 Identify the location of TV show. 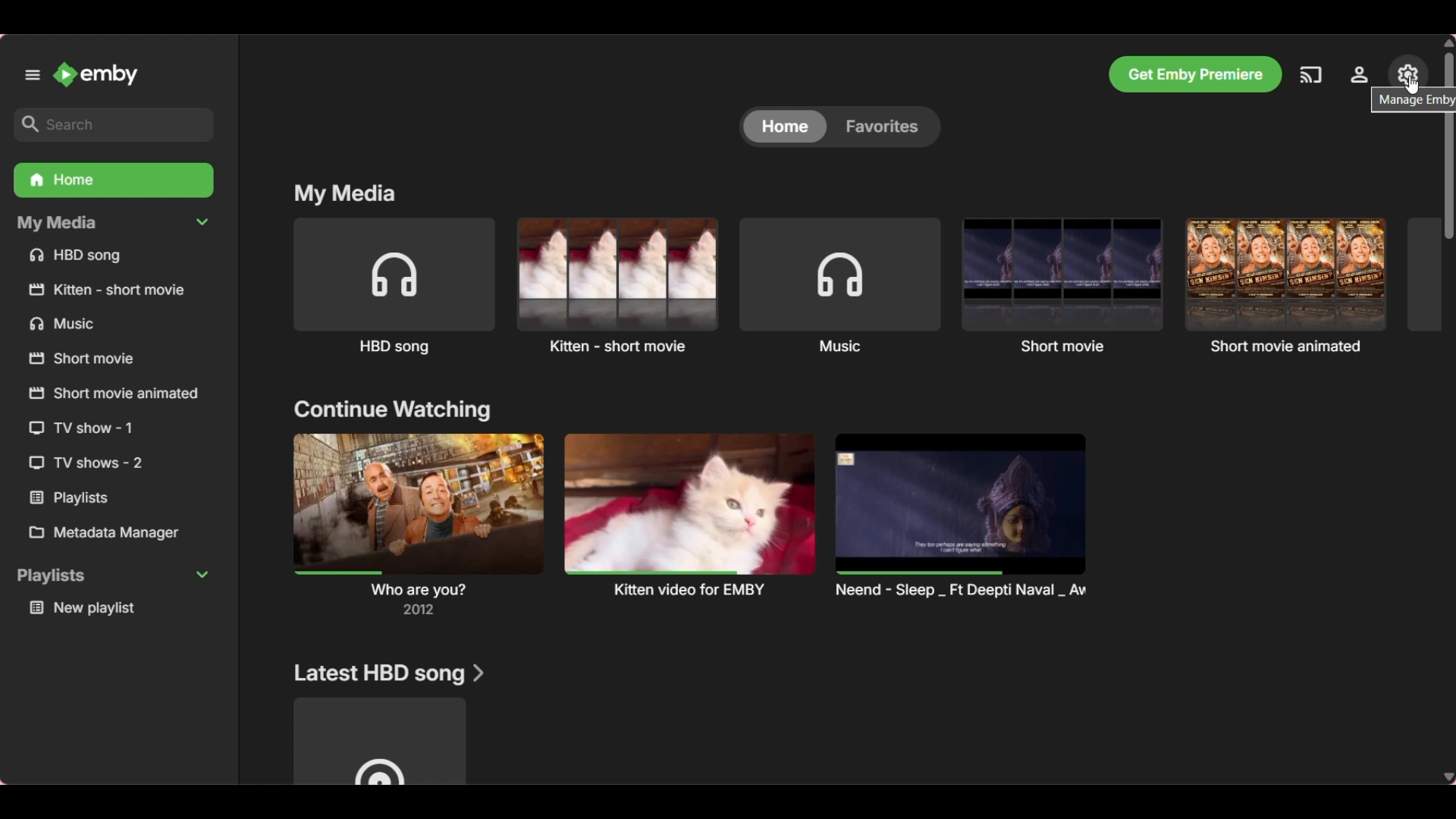
(111, 463).